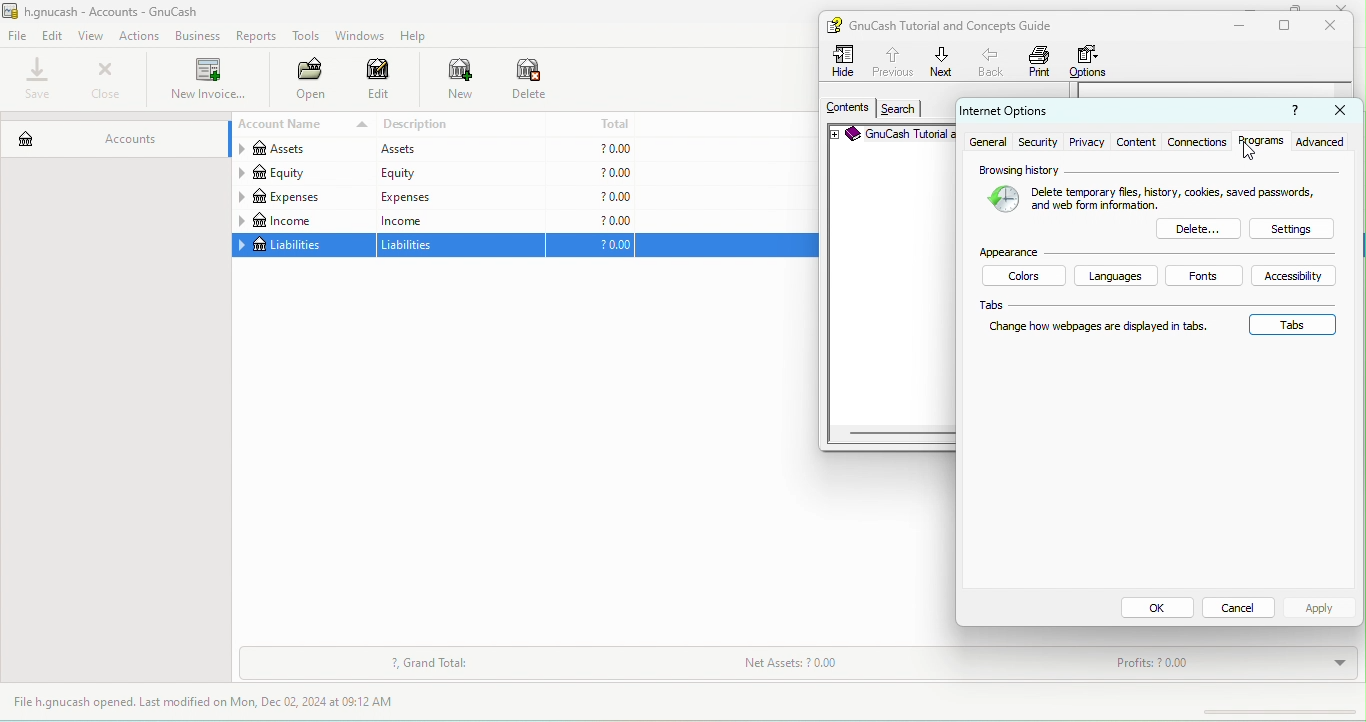 Image resolution: width=1366 pixels, height=722 pixels. Describe the element at coordinates (1205, 274) in the screenshot. I see `fonts` at that location.